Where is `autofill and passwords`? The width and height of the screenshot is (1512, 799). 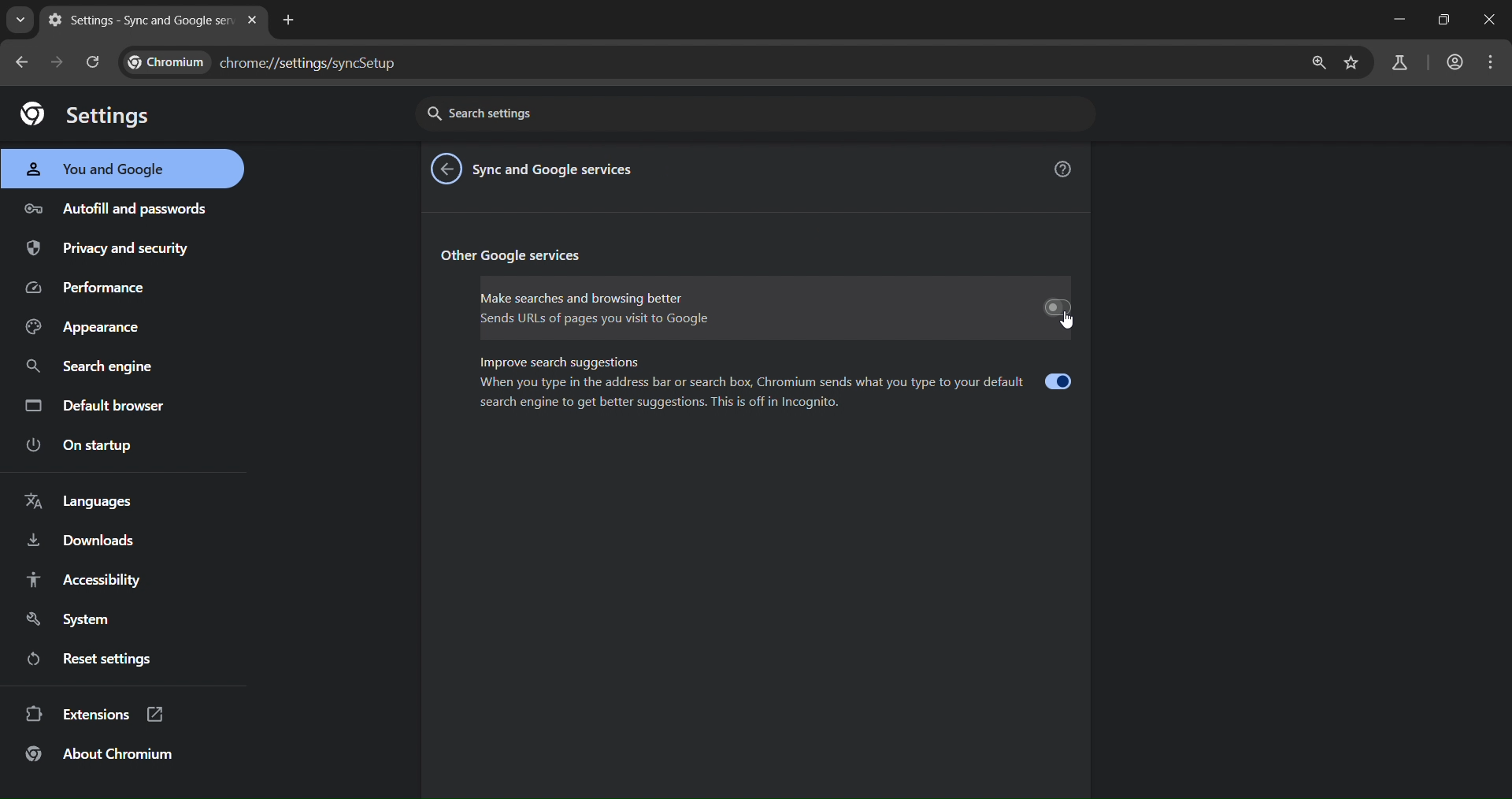 autofill and passwords is located at coordinates (119, 208).